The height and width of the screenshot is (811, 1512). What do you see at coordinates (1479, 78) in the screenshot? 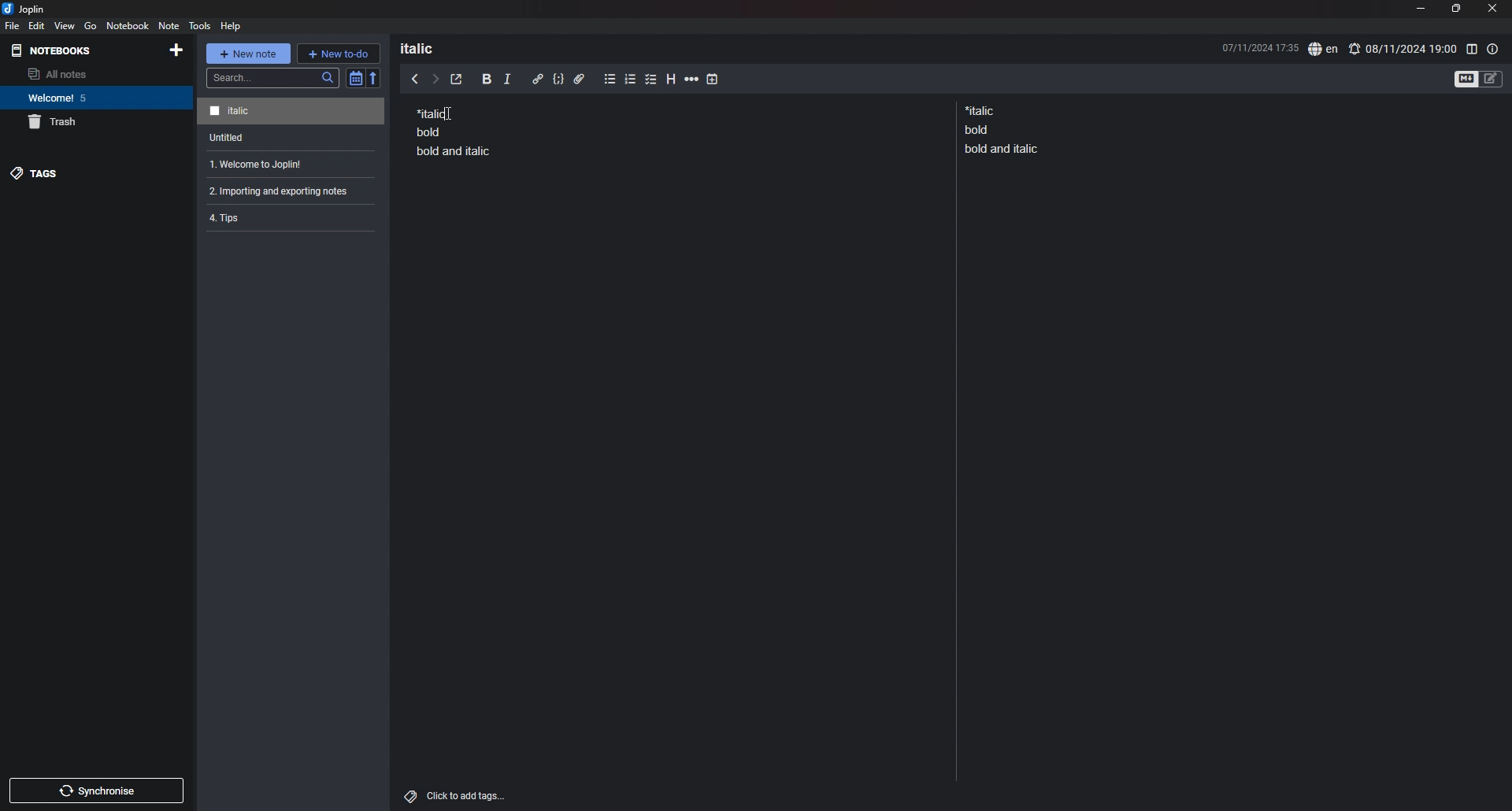
I see `toggle editors` at bounding box center [1479, 78].